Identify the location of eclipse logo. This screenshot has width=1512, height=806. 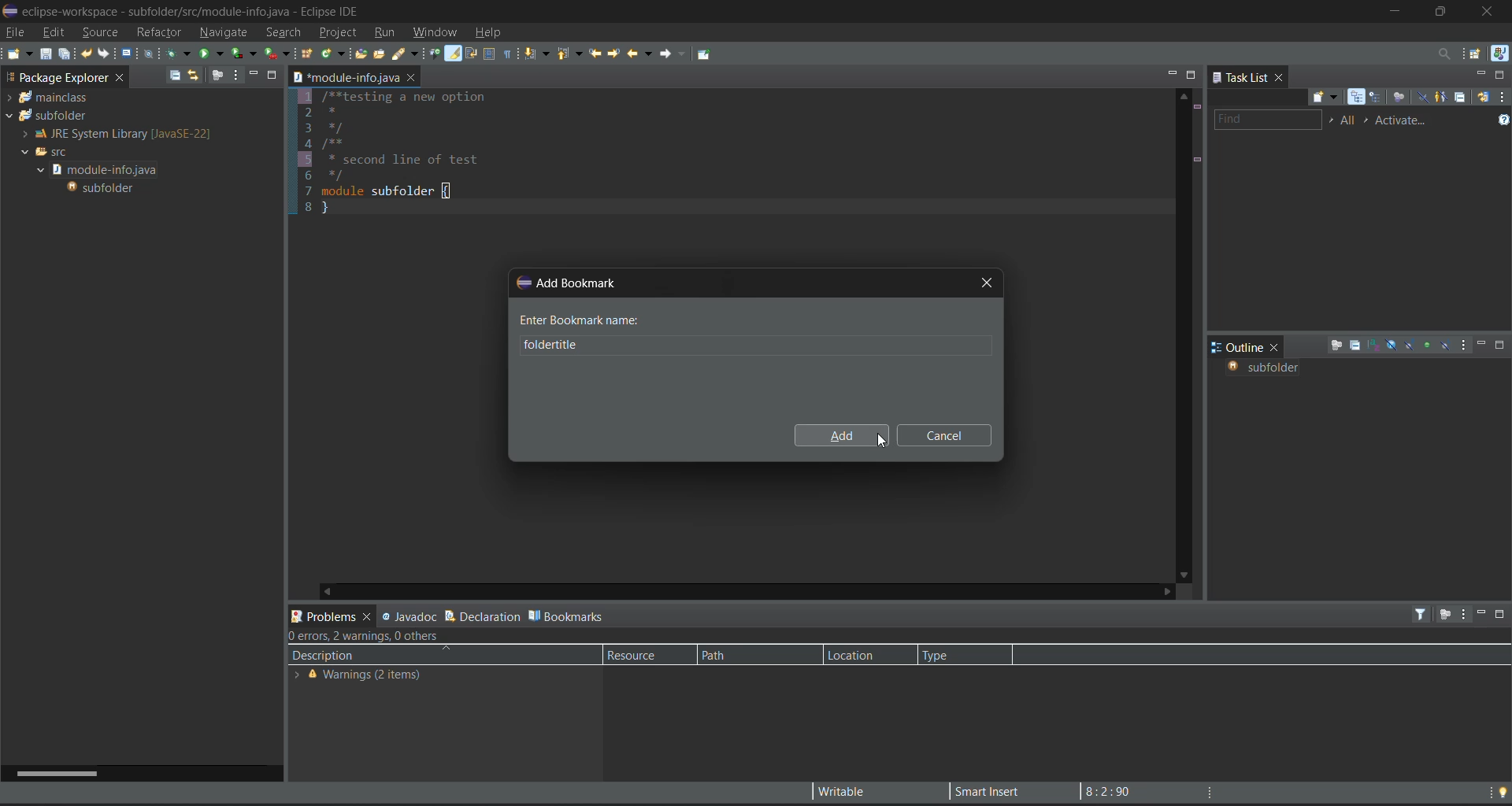
(9, 12).